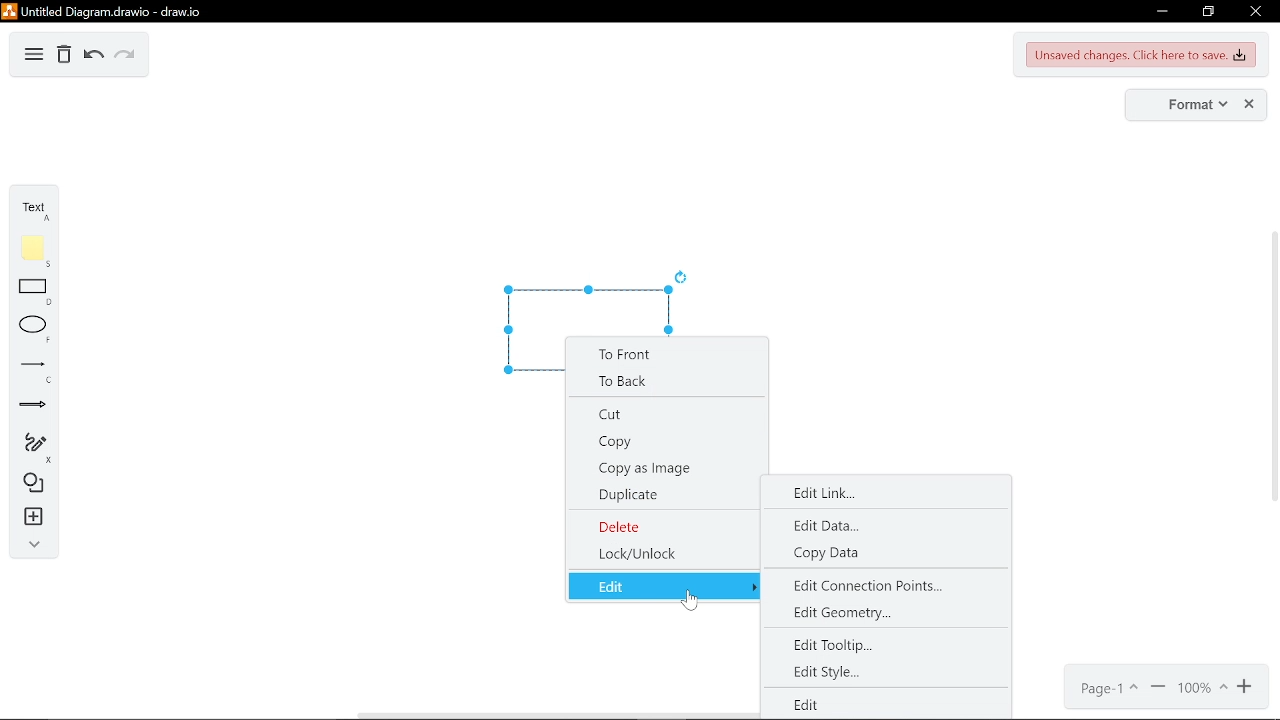 Image resolution: width=1280 pixels, height=720 pixels. I want to click on delete, so click(64, 57).